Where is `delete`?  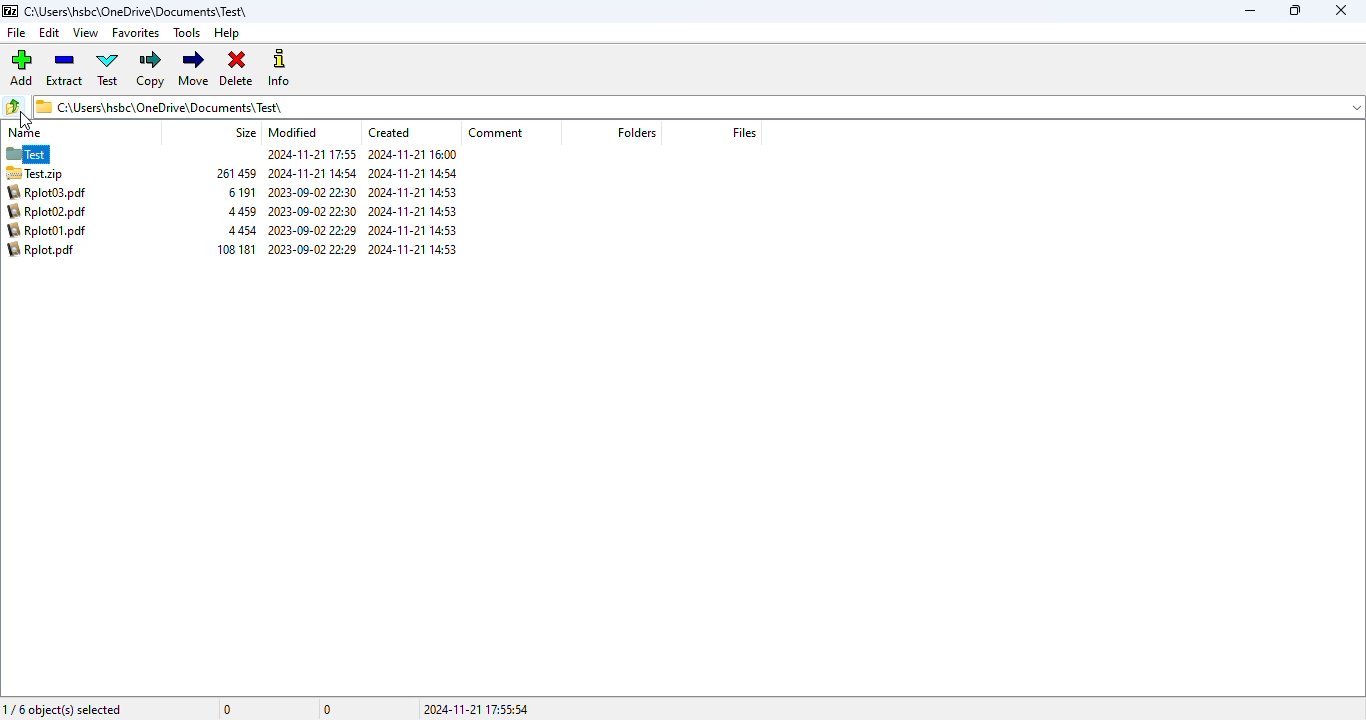
delete is located at coordinates (236, 67).